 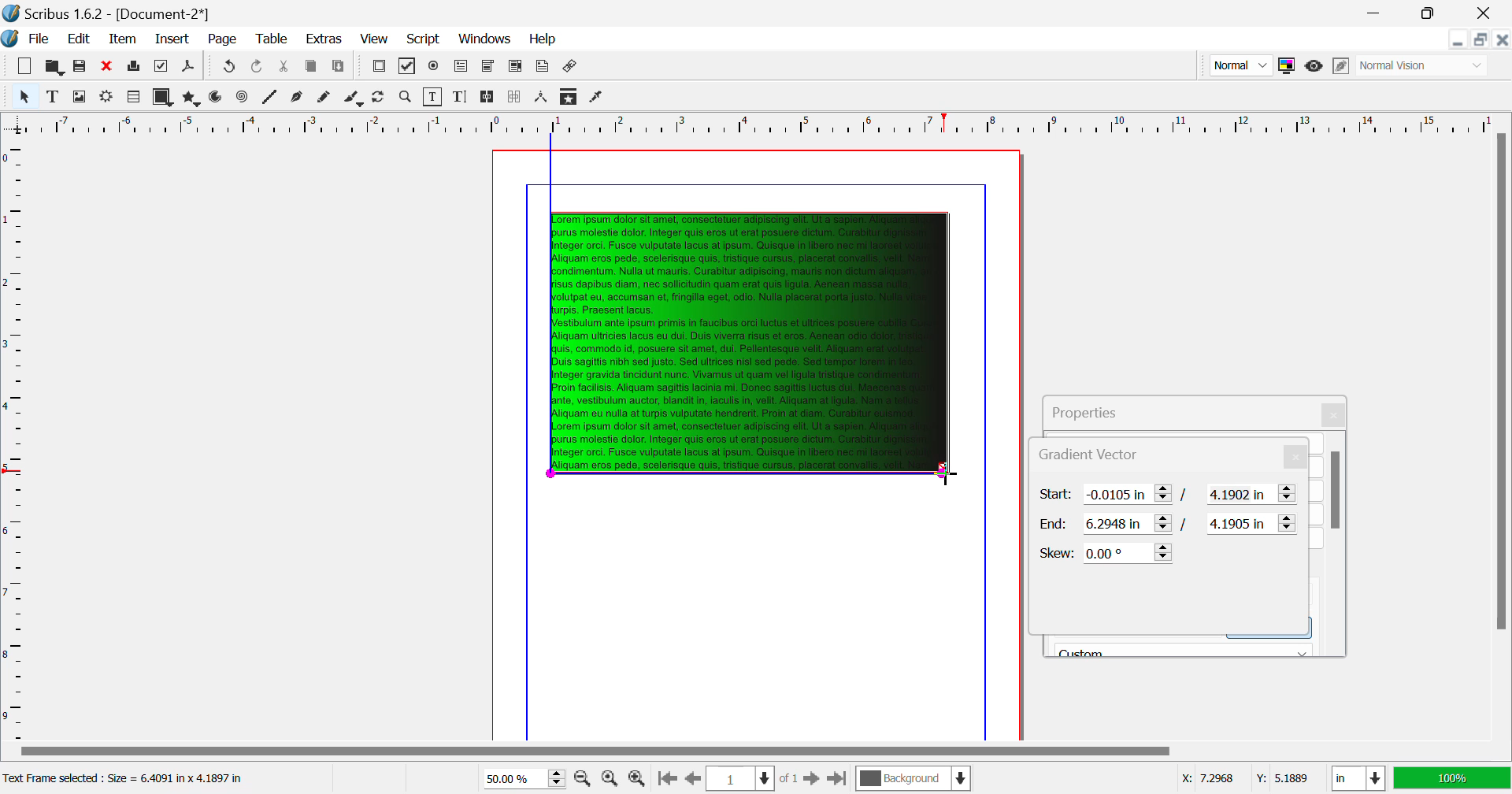 What do you see at coordinates (190, 98) in the screenshot?
I see `Polygons` at bounding box center [190, 98].